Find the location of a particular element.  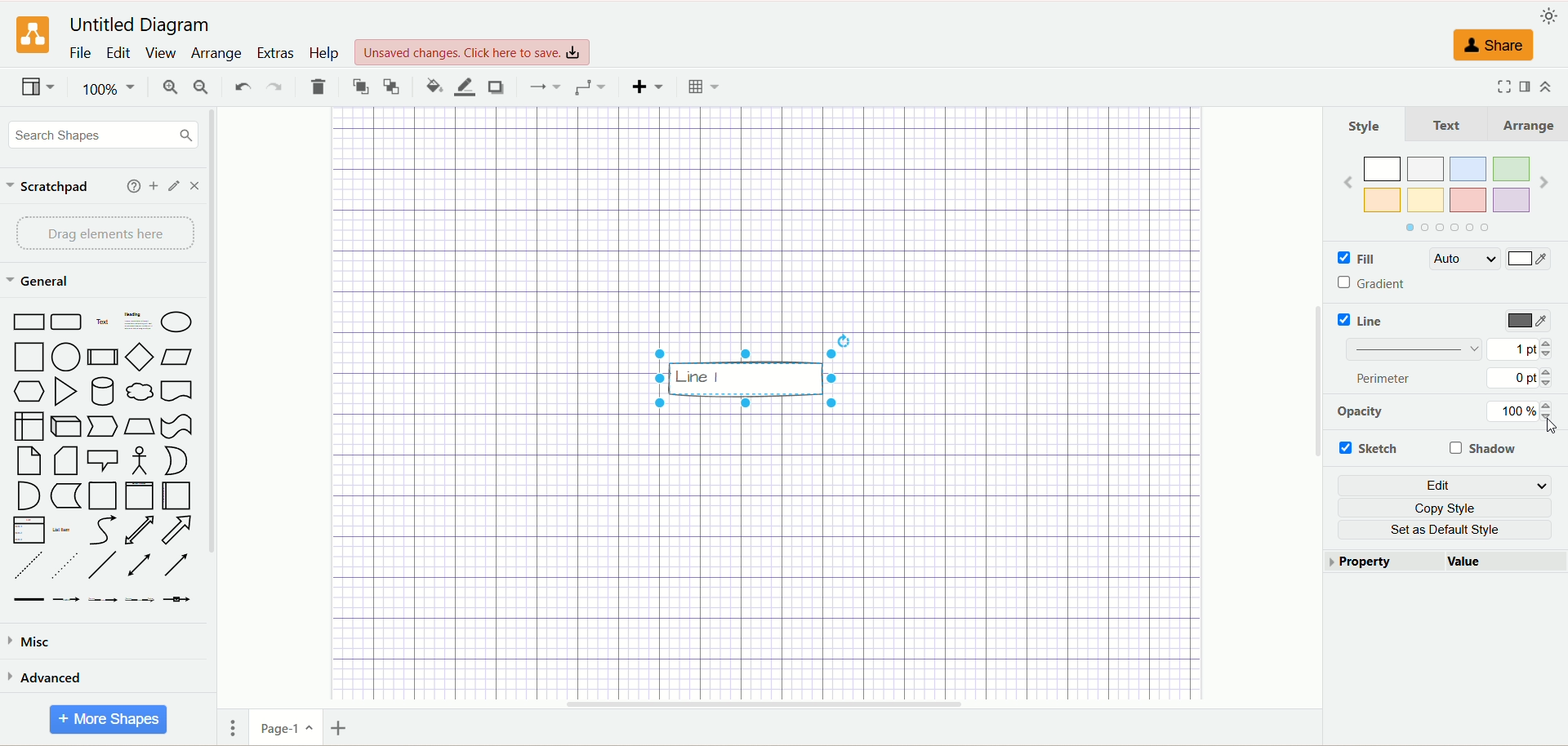

Container is located at coordinates (103, 496).